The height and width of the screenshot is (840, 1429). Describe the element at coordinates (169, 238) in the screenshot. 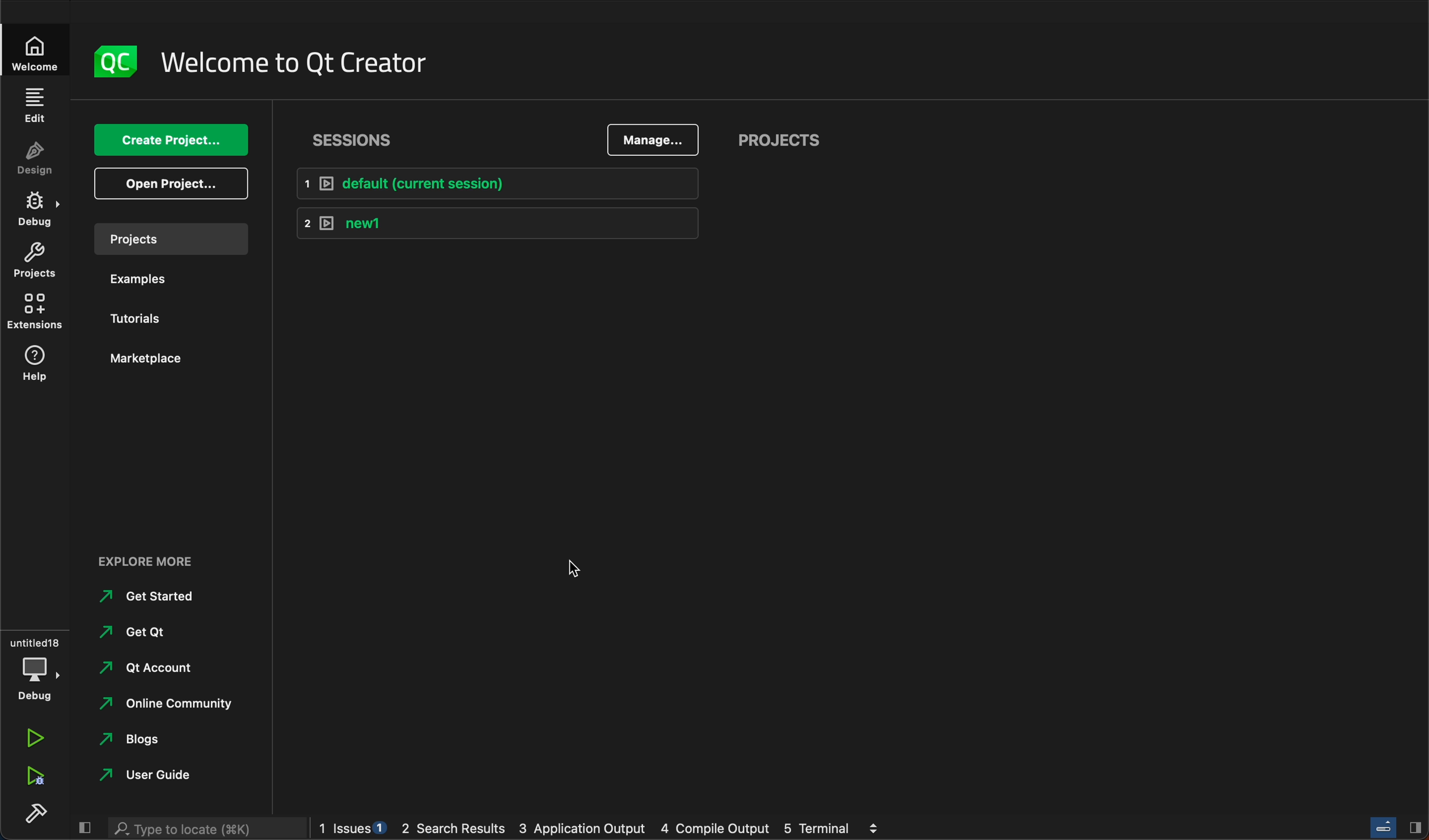

I see `project` at that location.